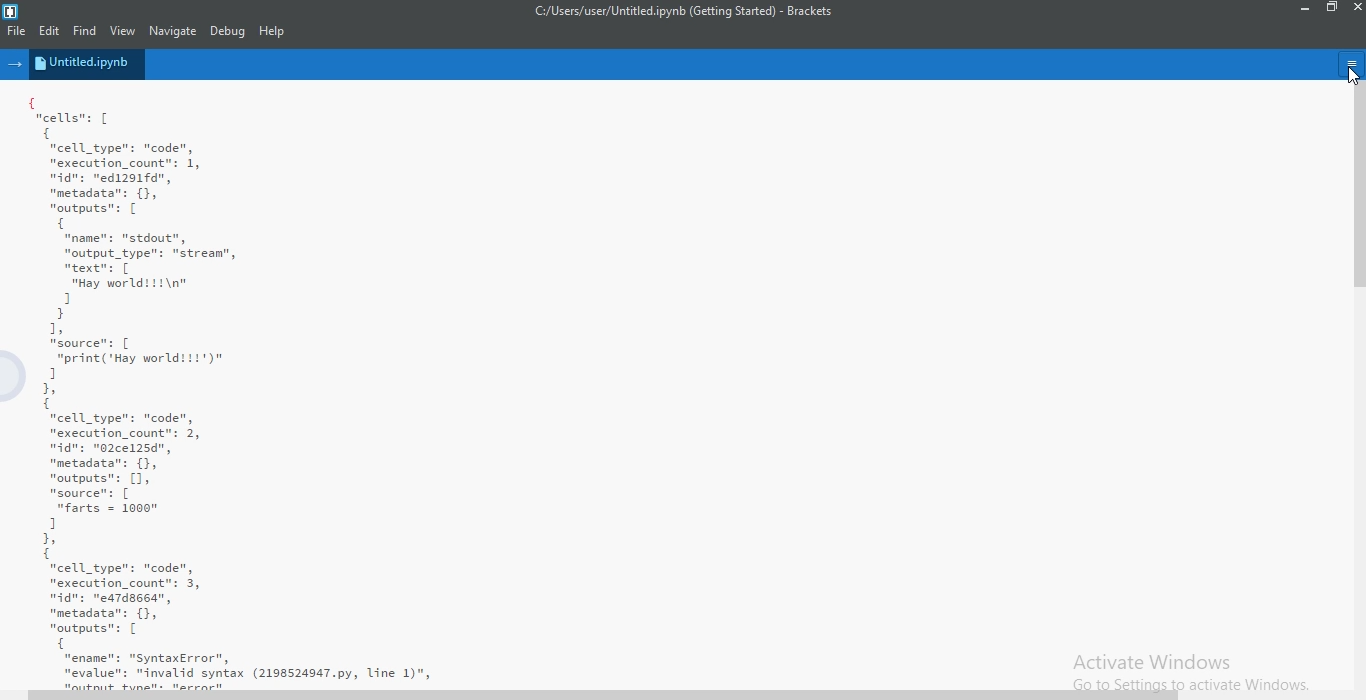 The height and width of the screenshot is (700, 1366). What do you see at coordinates (11, 8) in the screenshot?
I see `logo` at bounding box center [11, 8].